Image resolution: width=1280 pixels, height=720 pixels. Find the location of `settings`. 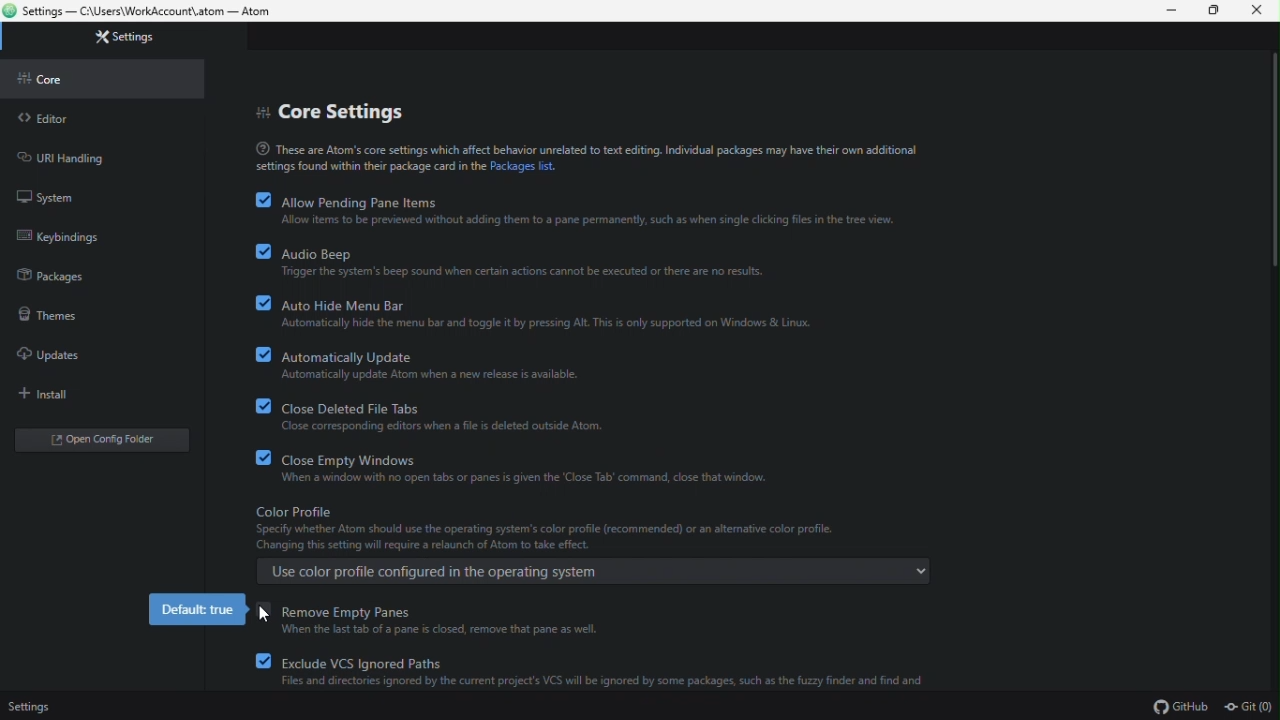

settings is located at coordinates (130, 38).